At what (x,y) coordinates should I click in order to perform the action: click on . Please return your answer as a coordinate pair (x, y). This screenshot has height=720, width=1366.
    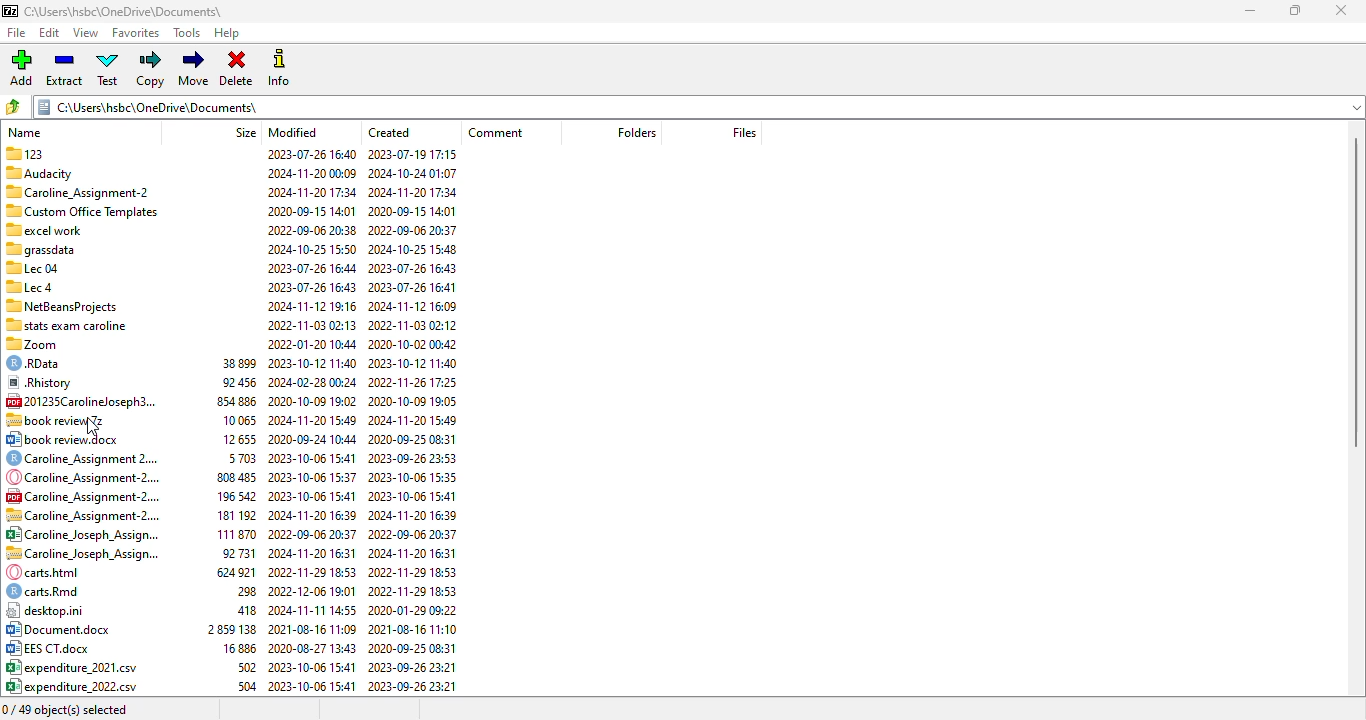
    Looking at the image, I should click on (1341, 11).